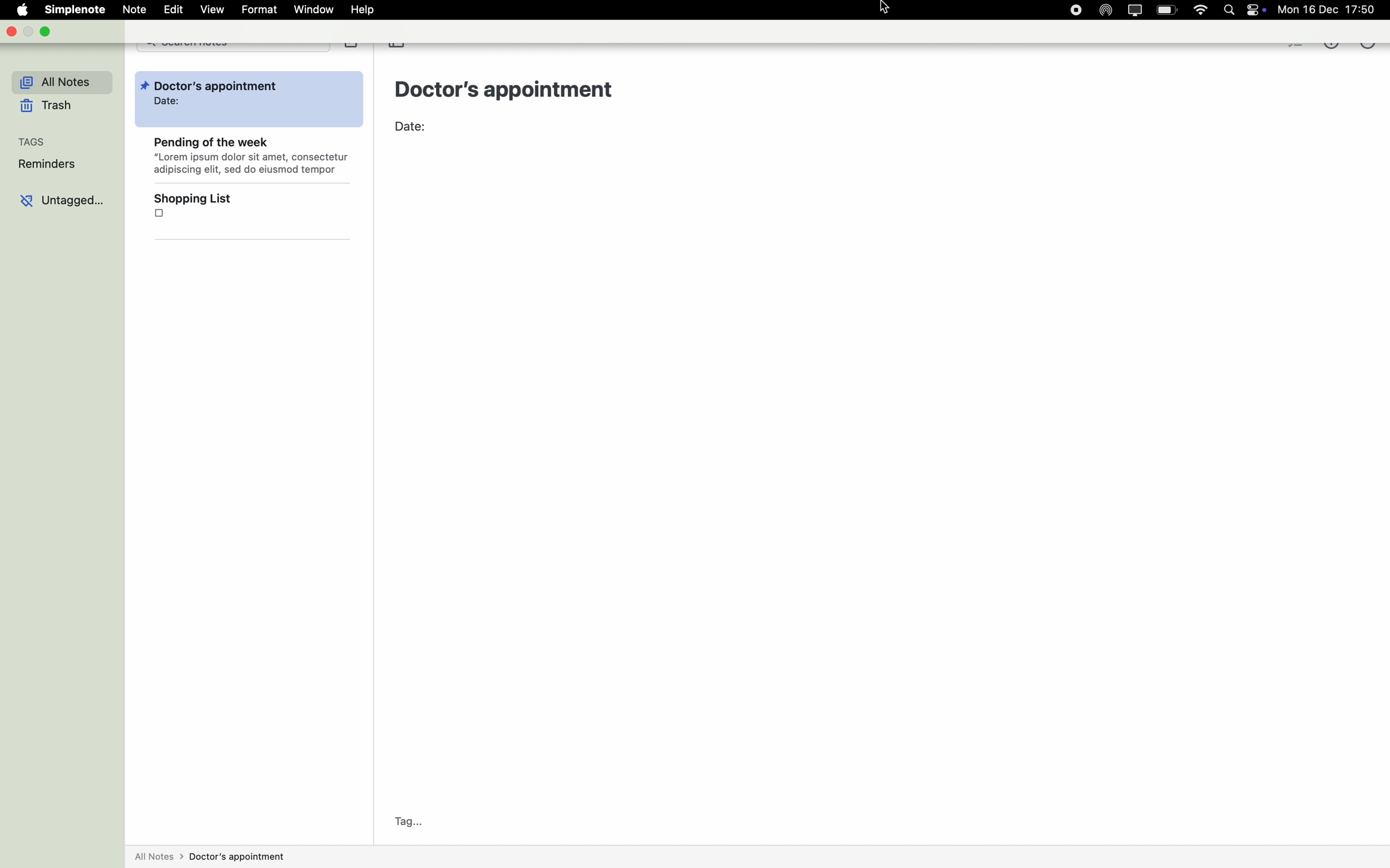 The height and width of the screenshot is (868, 1390). What do you see at coordinates (887, 9) in the screenshot?
I see `cursor` at bounding box center [887, 9].